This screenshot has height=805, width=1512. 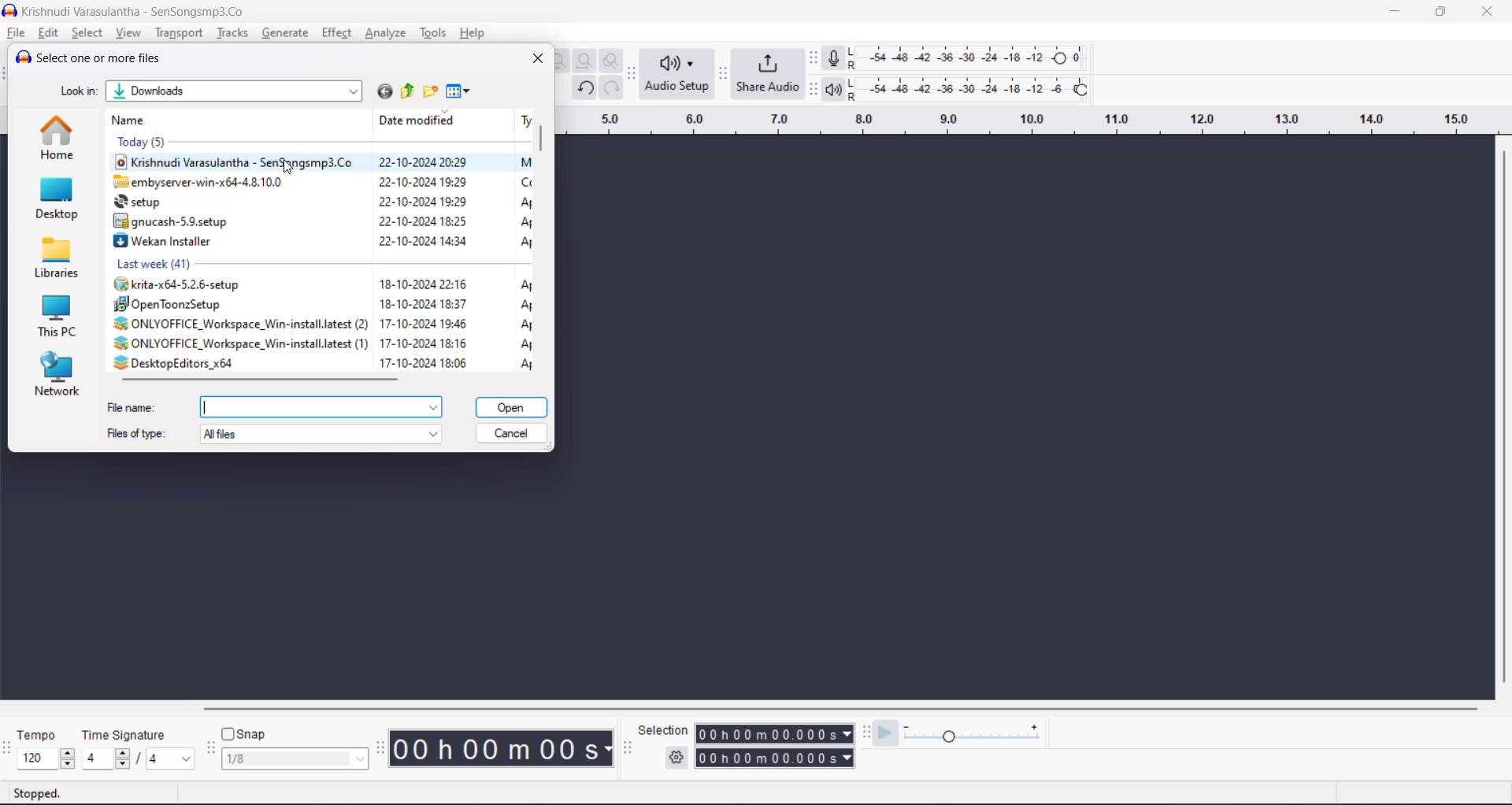 I want to click on close, so click(x=1487, y=12).